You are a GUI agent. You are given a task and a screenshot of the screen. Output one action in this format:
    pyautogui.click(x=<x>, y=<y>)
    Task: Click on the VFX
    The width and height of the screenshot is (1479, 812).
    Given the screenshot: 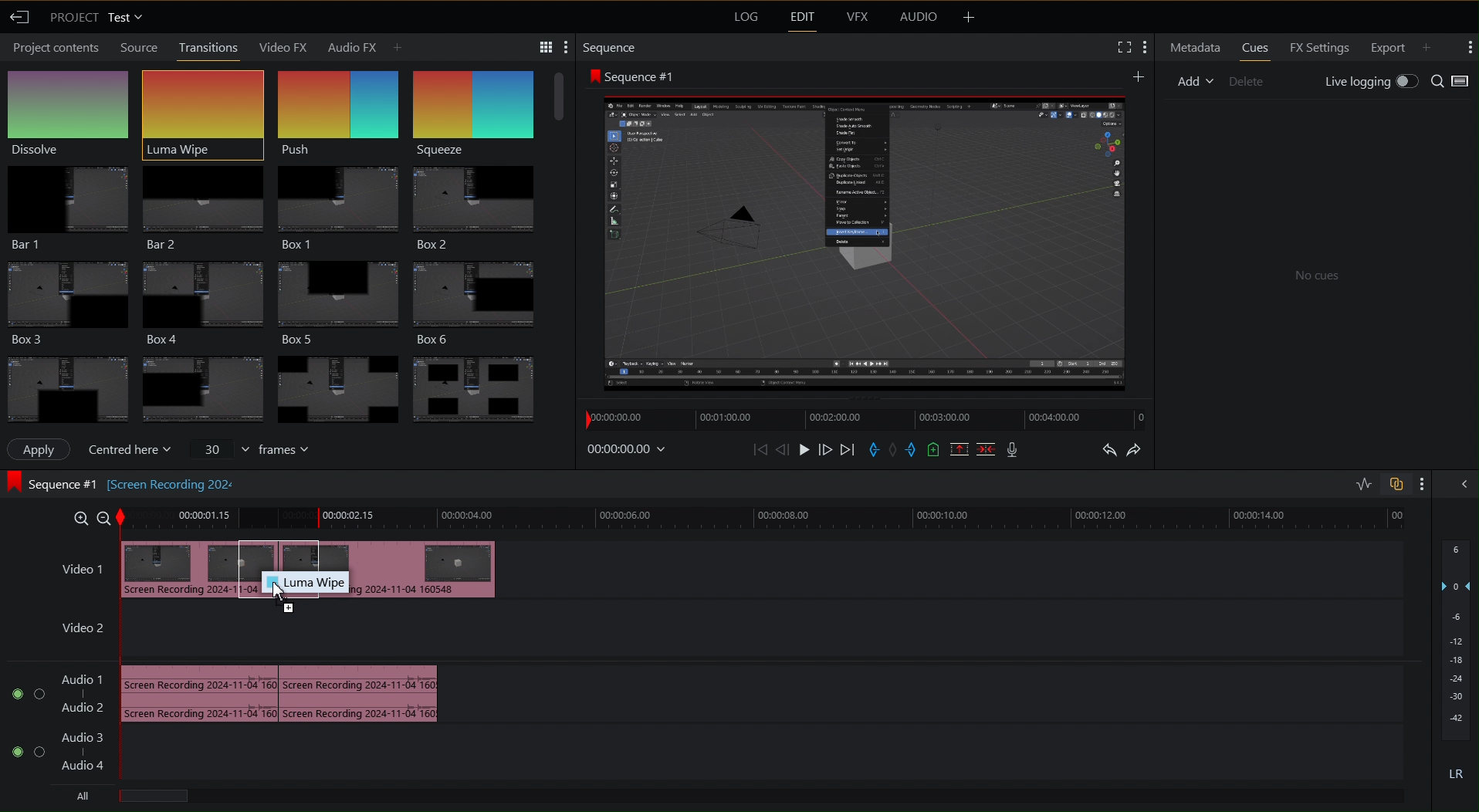 What is the action you would take?
    pyautogui.click(x=856, y=20)
    